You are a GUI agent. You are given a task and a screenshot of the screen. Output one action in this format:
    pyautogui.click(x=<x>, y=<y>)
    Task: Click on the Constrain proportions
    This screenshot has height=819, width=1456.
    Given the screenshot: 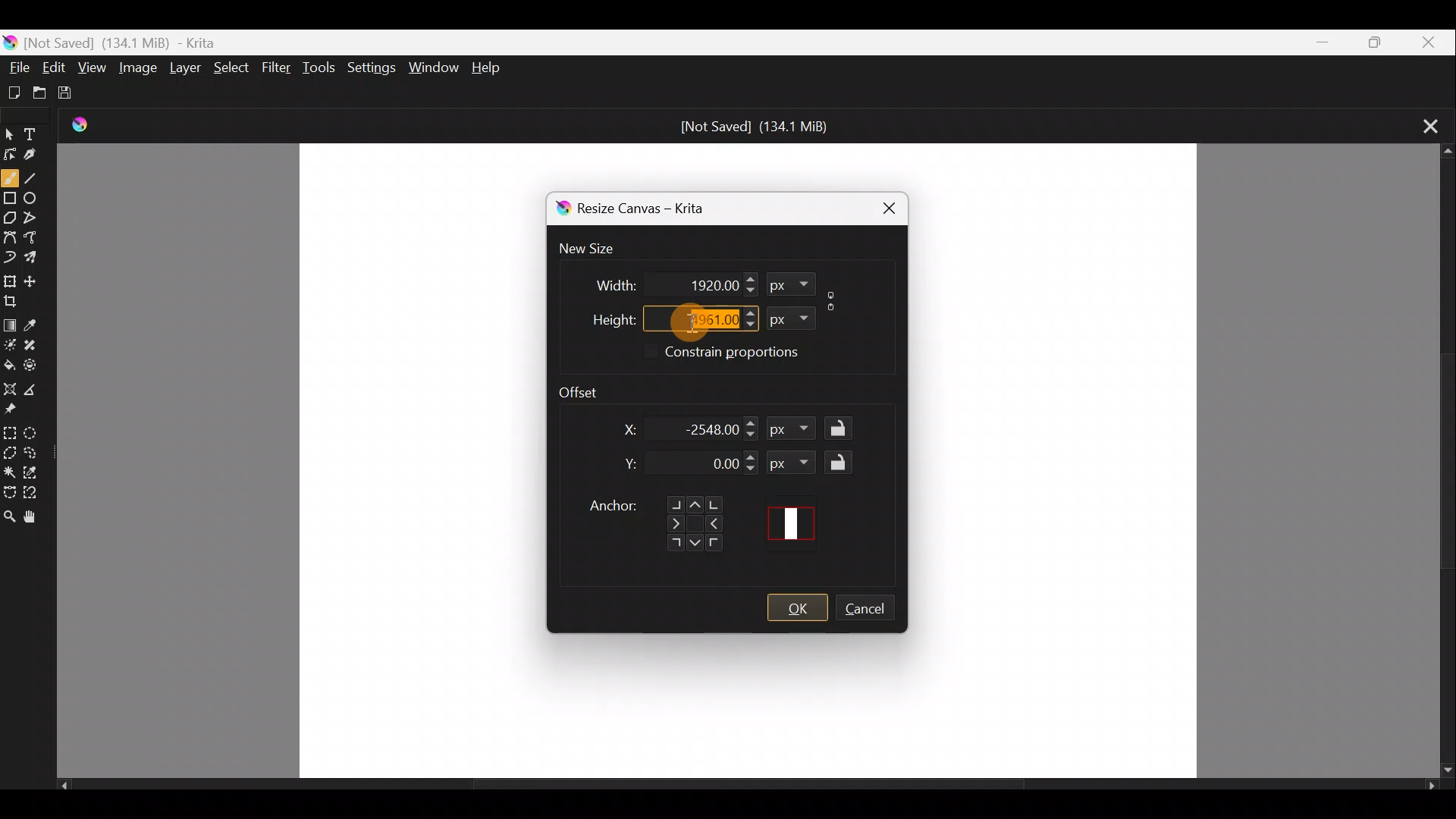 What is the action you would take?
    pyautogui.click(x=754, y=354)
    